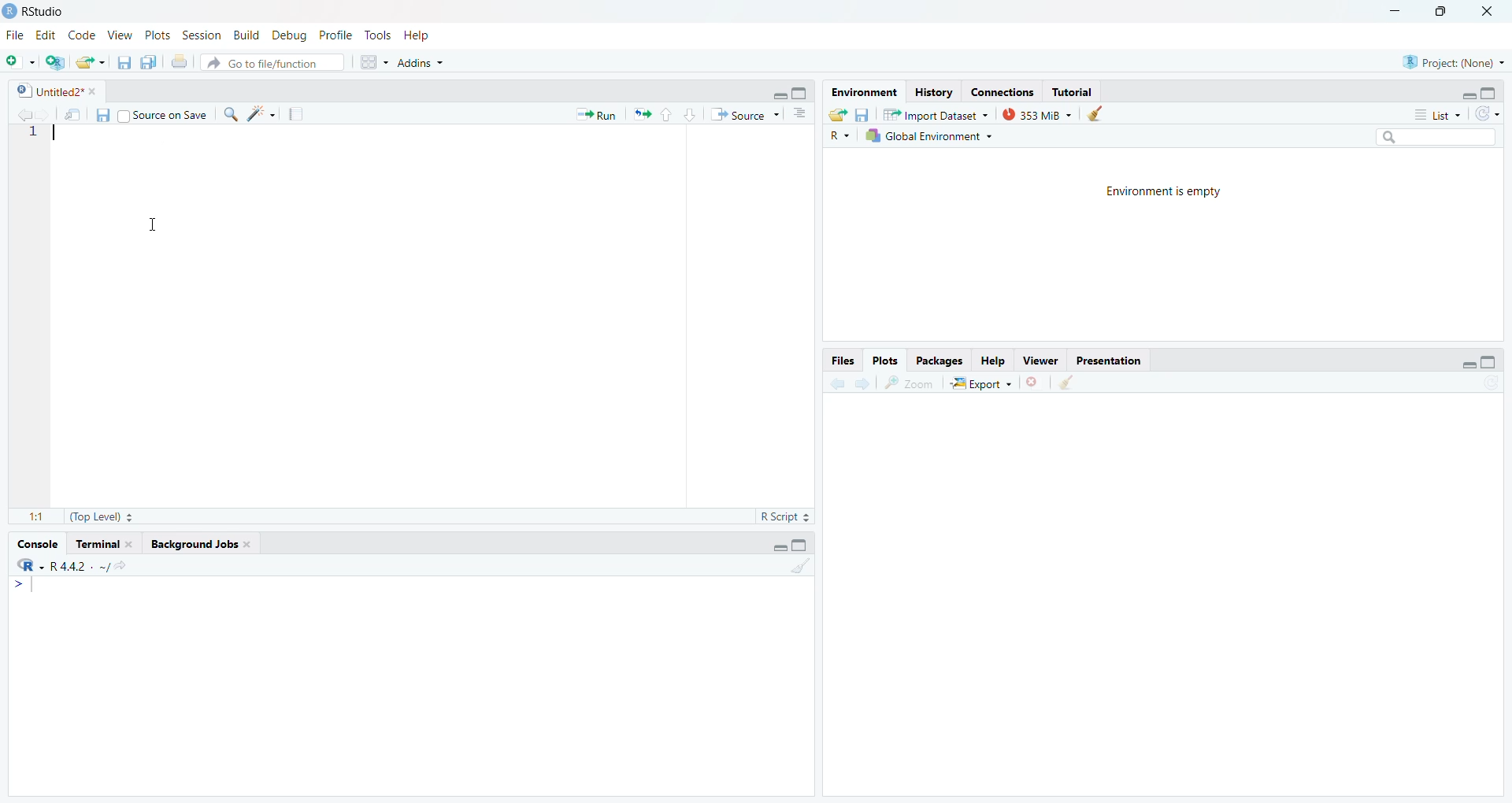 The width and height of the screenshot is (1512, 803). What do you see at coordinates (39, 137) in the screenshot?
I see `1` at bounding box center [39, 137].